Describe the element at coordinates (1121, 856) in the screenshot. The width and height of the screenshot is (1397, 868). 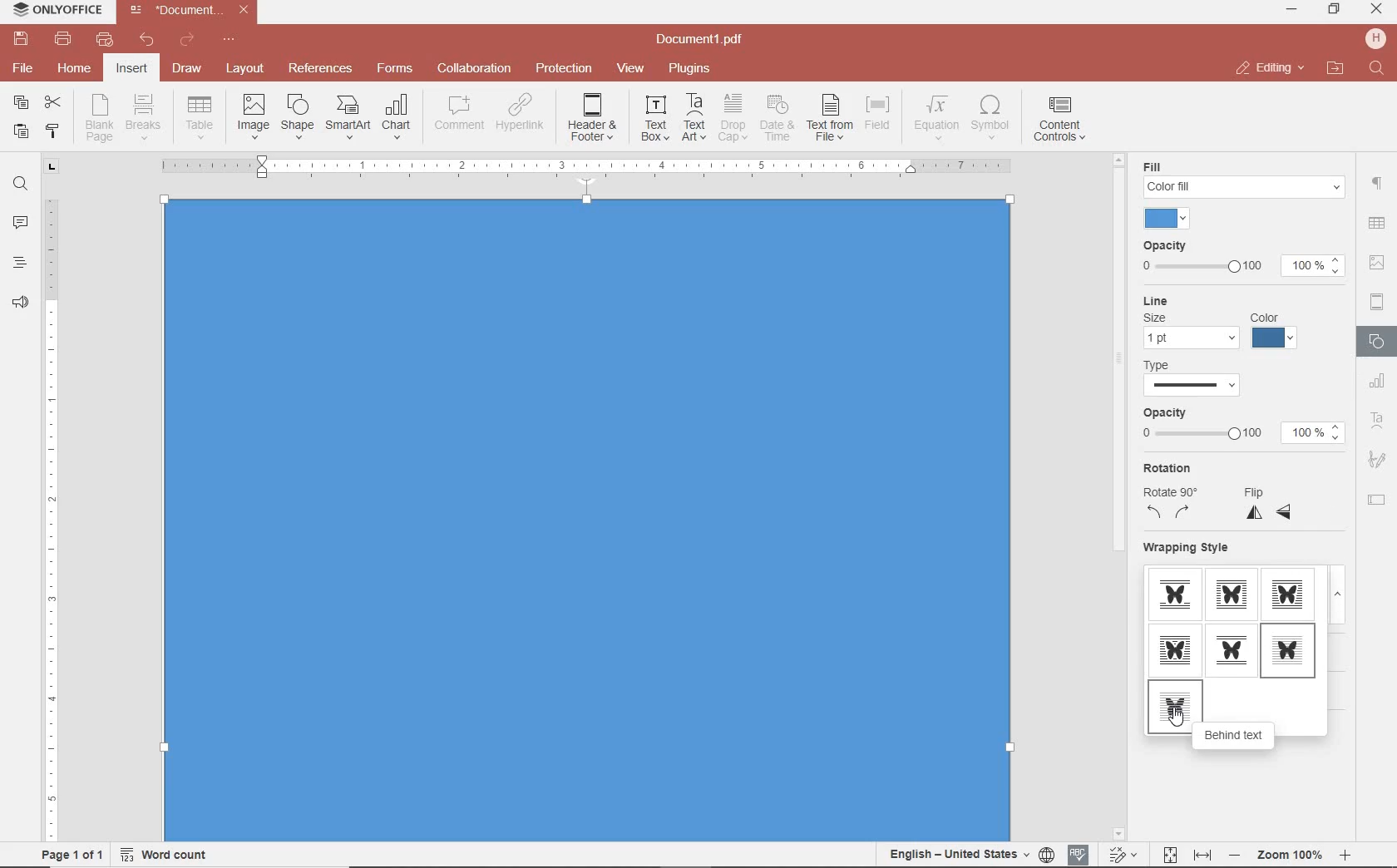
I see `track change` at that location.